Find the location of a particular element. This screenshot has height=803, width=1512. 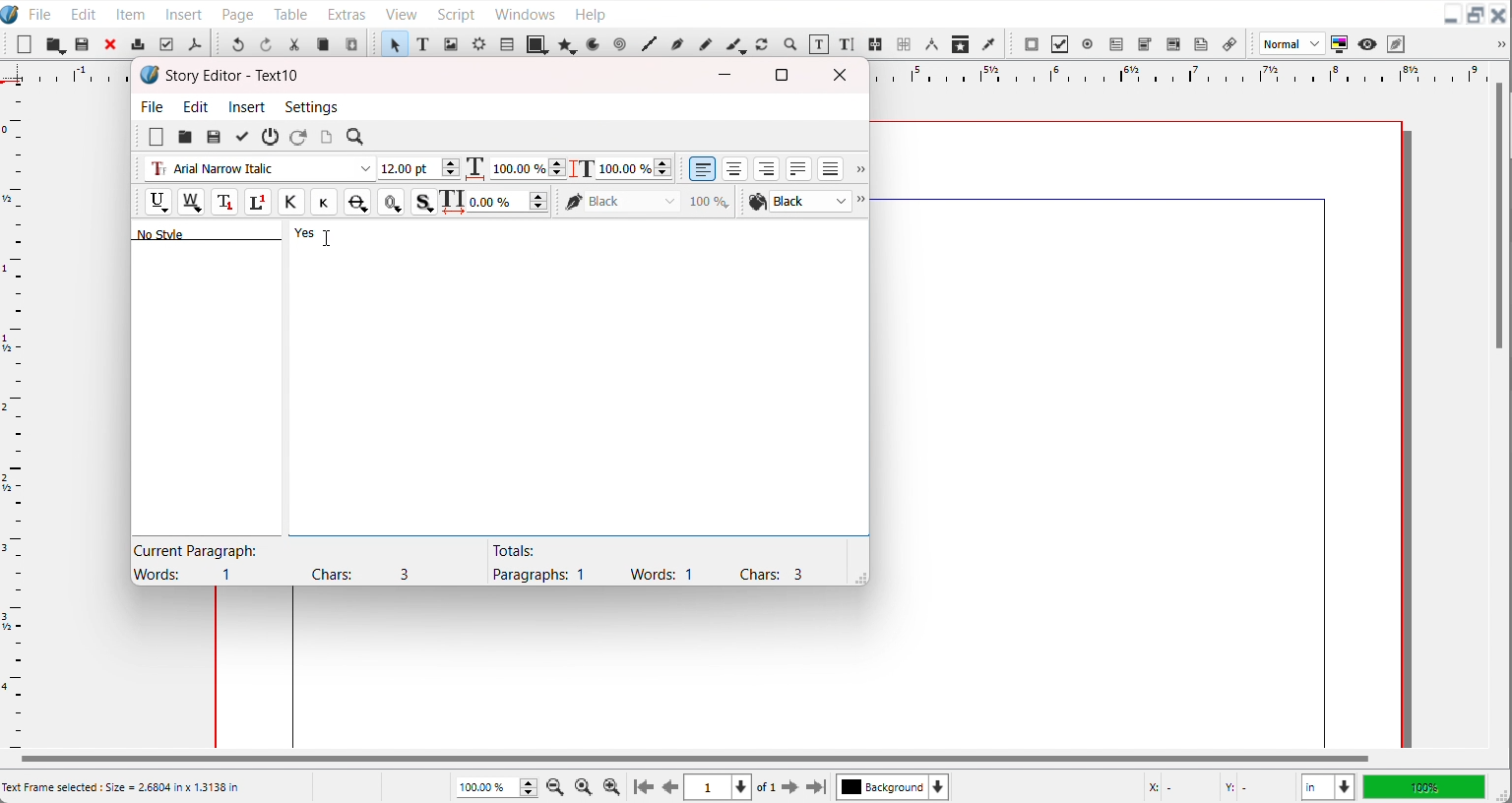

Maximize is located at coordinates (782, 74).